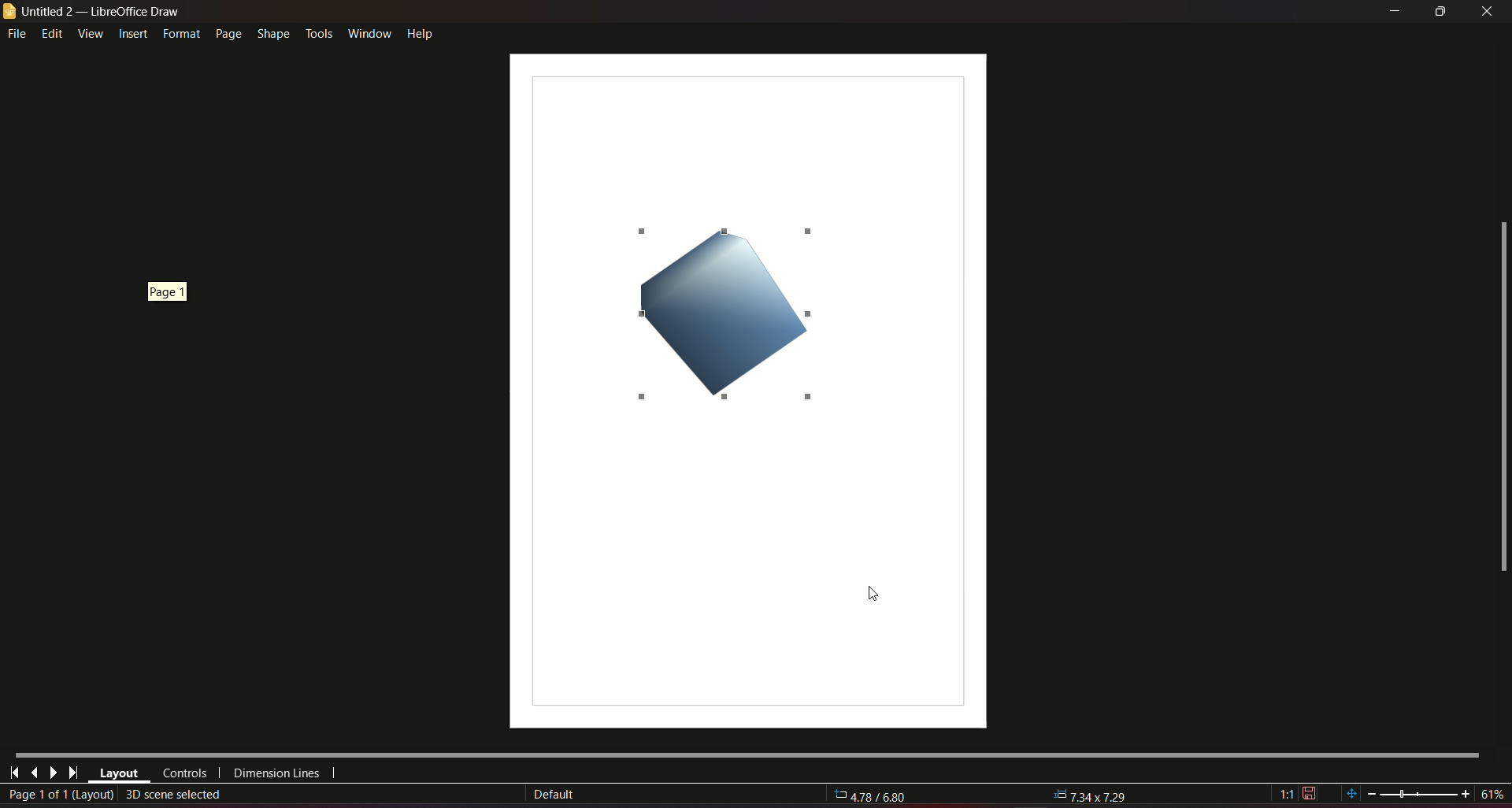  What do you see at coordinates (1392, 12) in the screenshot?
I see `minimize` at bounding box center [1392, 12].